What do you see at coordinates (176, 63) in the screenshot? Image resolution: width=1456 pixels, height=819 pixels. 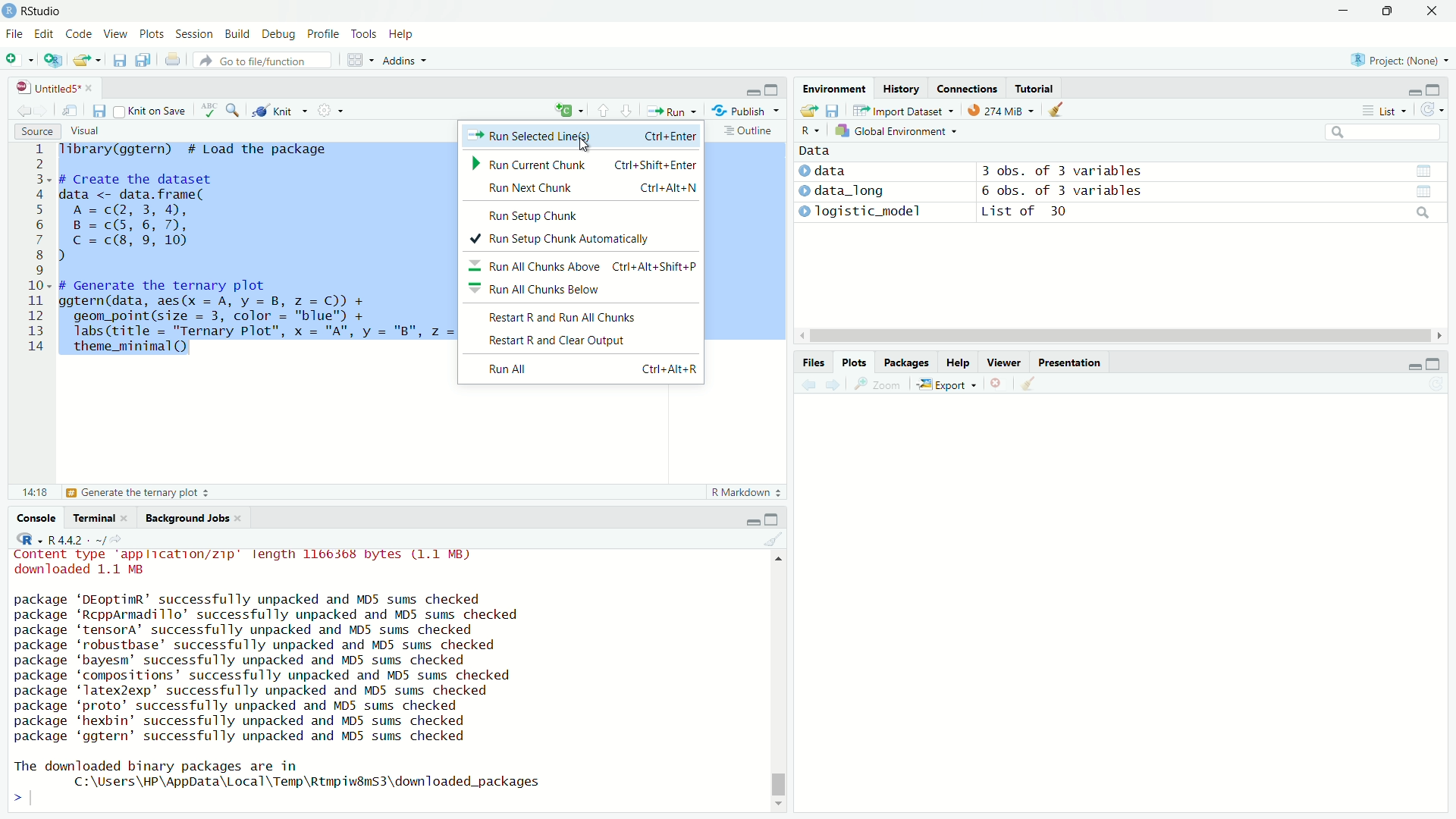 I see `print` at bounding box center [176, 63].